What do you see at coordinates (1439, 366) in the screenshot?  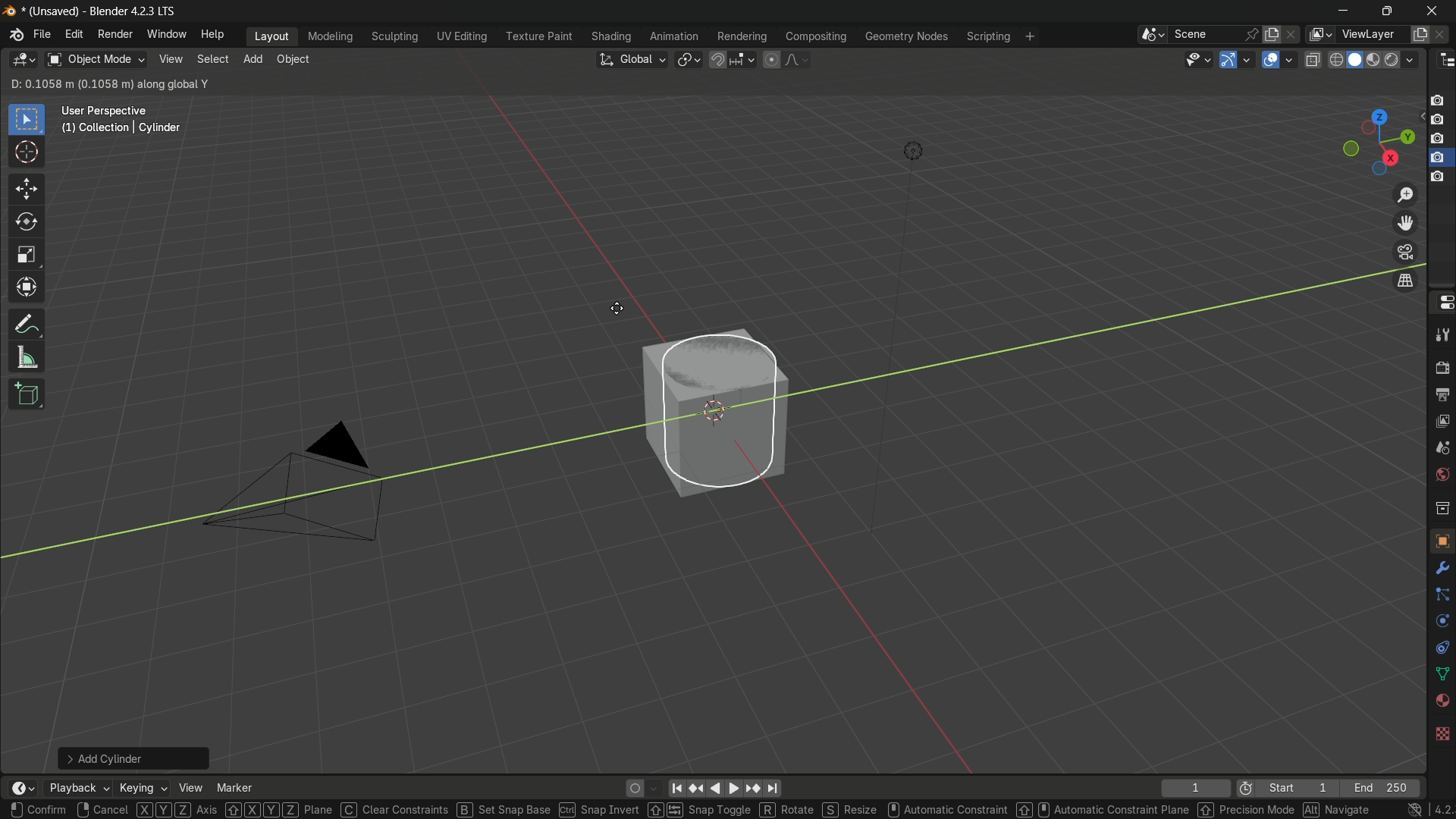 I see `render` at bounding box center [1439, 366].